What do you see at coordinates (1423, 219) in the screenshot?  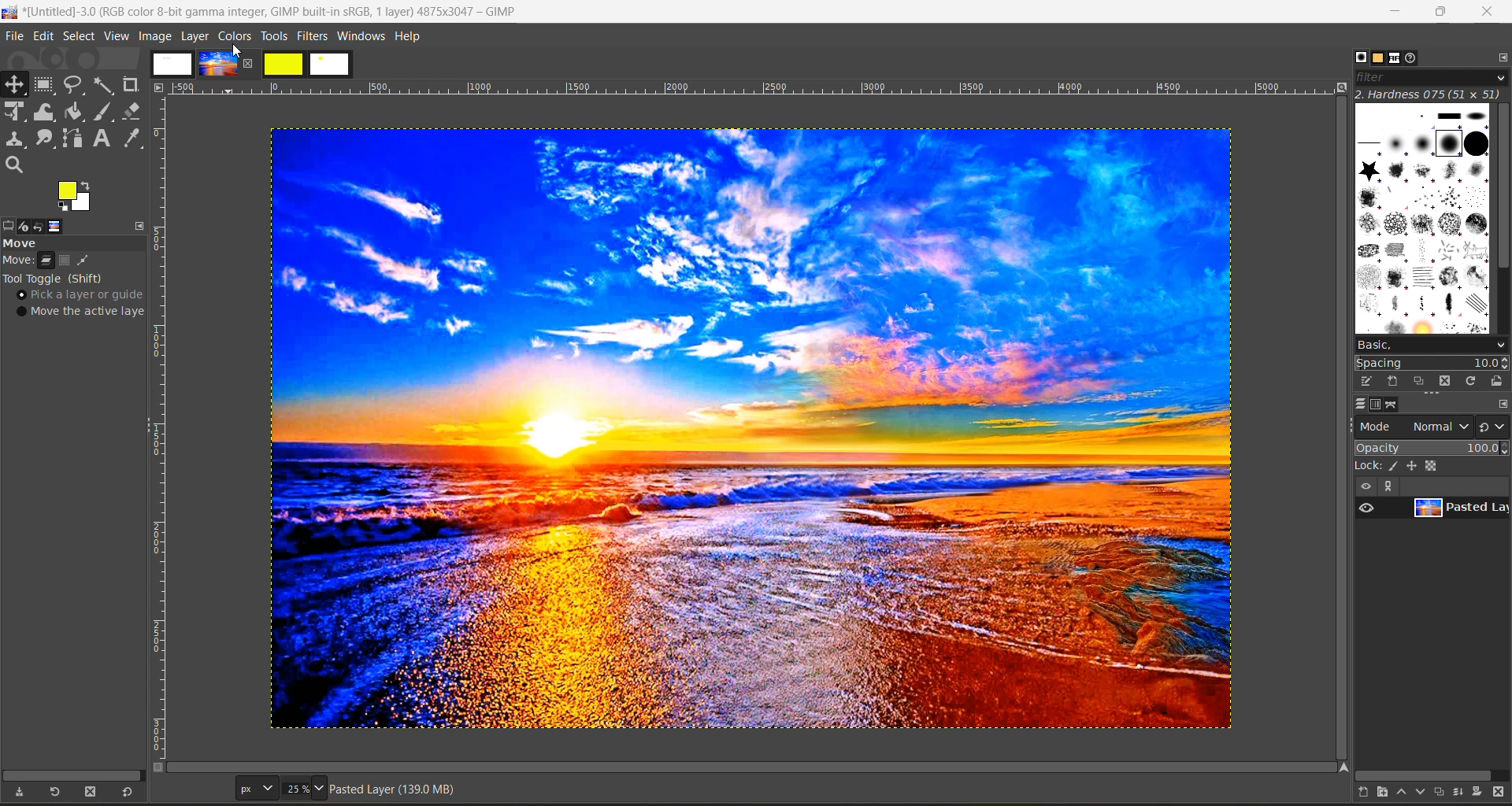 I see `brushes` at bounding box center [1423, 219].